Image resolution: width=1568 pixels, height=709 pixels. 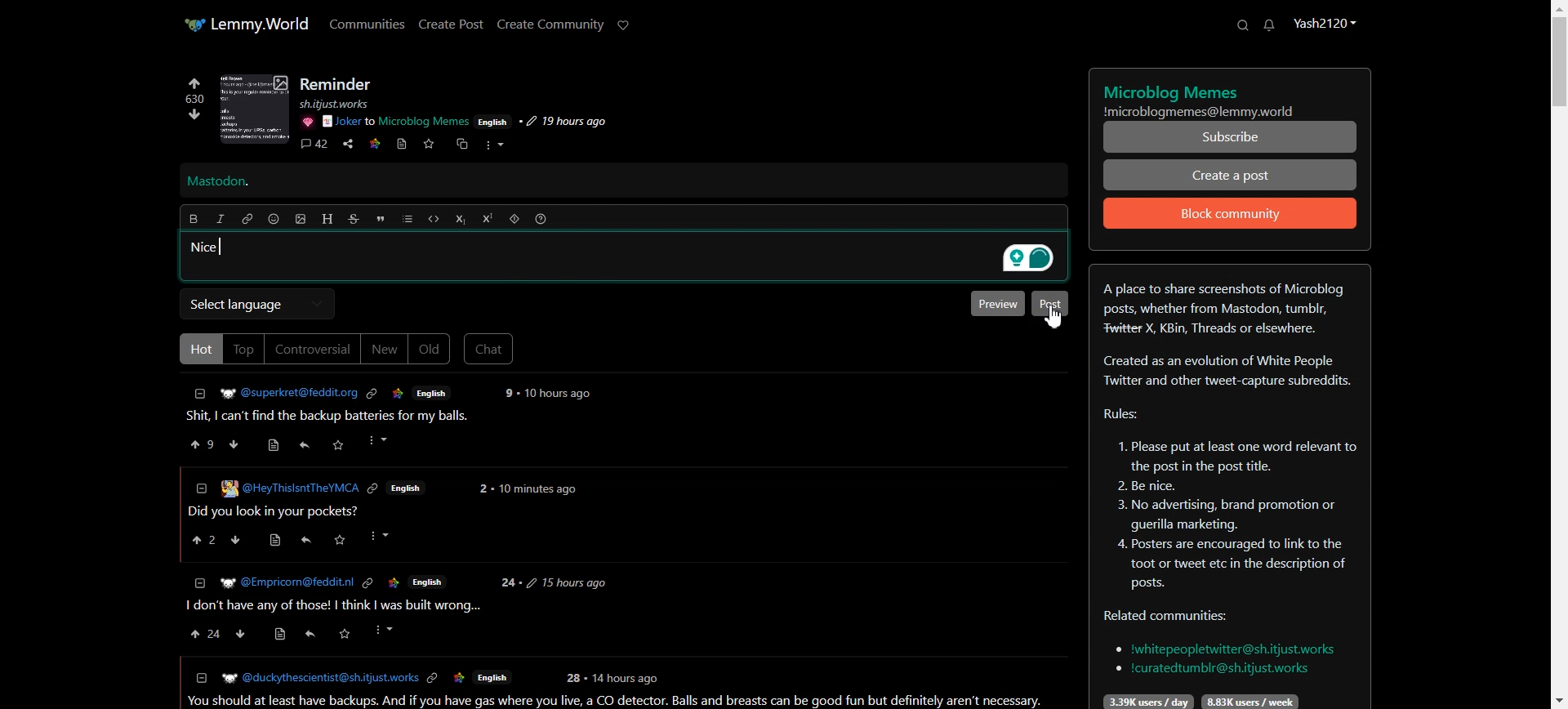 What do you see at coordinates (345, 634) in the screenshot?
I see `` at bounding box center [345, 634].